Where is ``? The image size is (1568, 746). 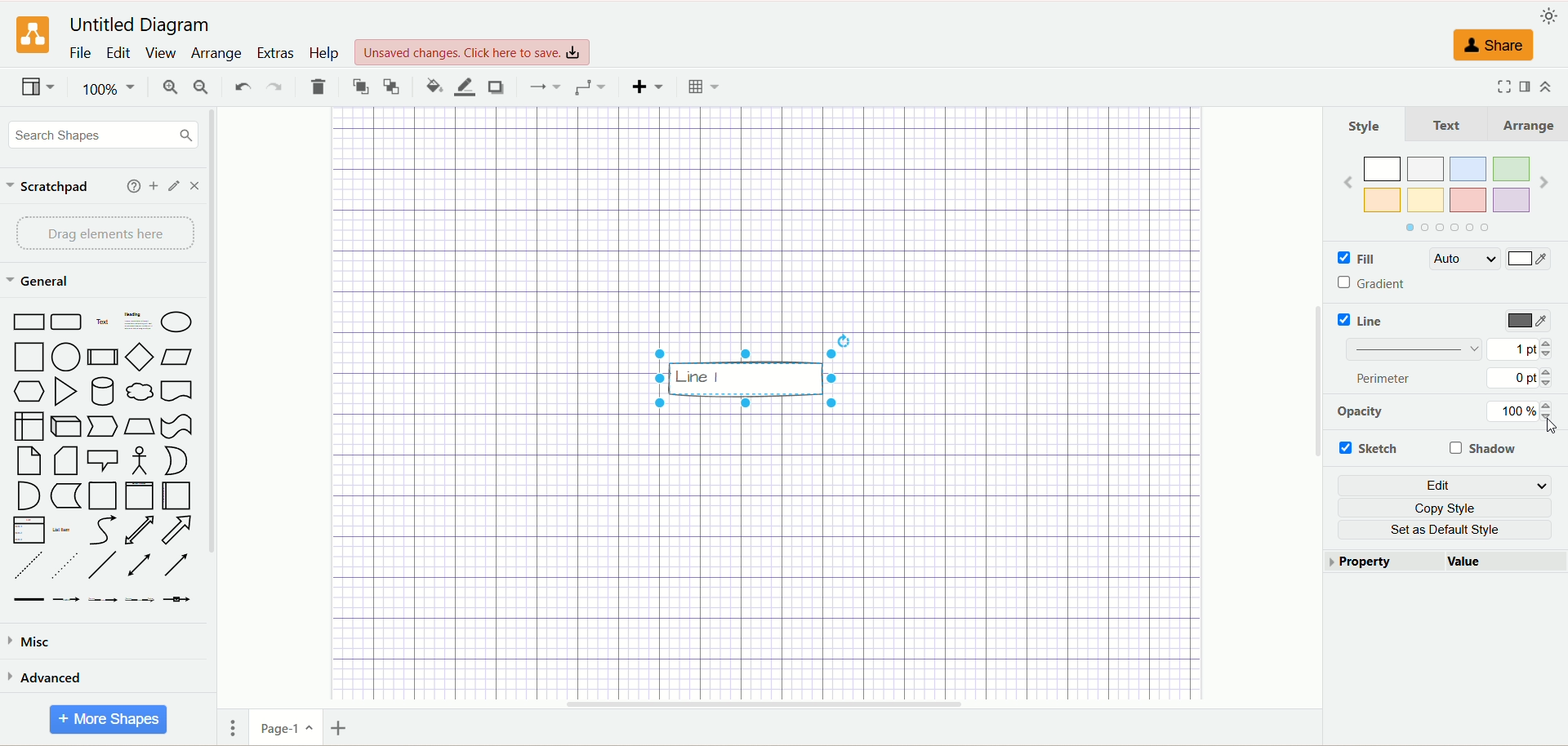
 is located at coordinates (746, 372).